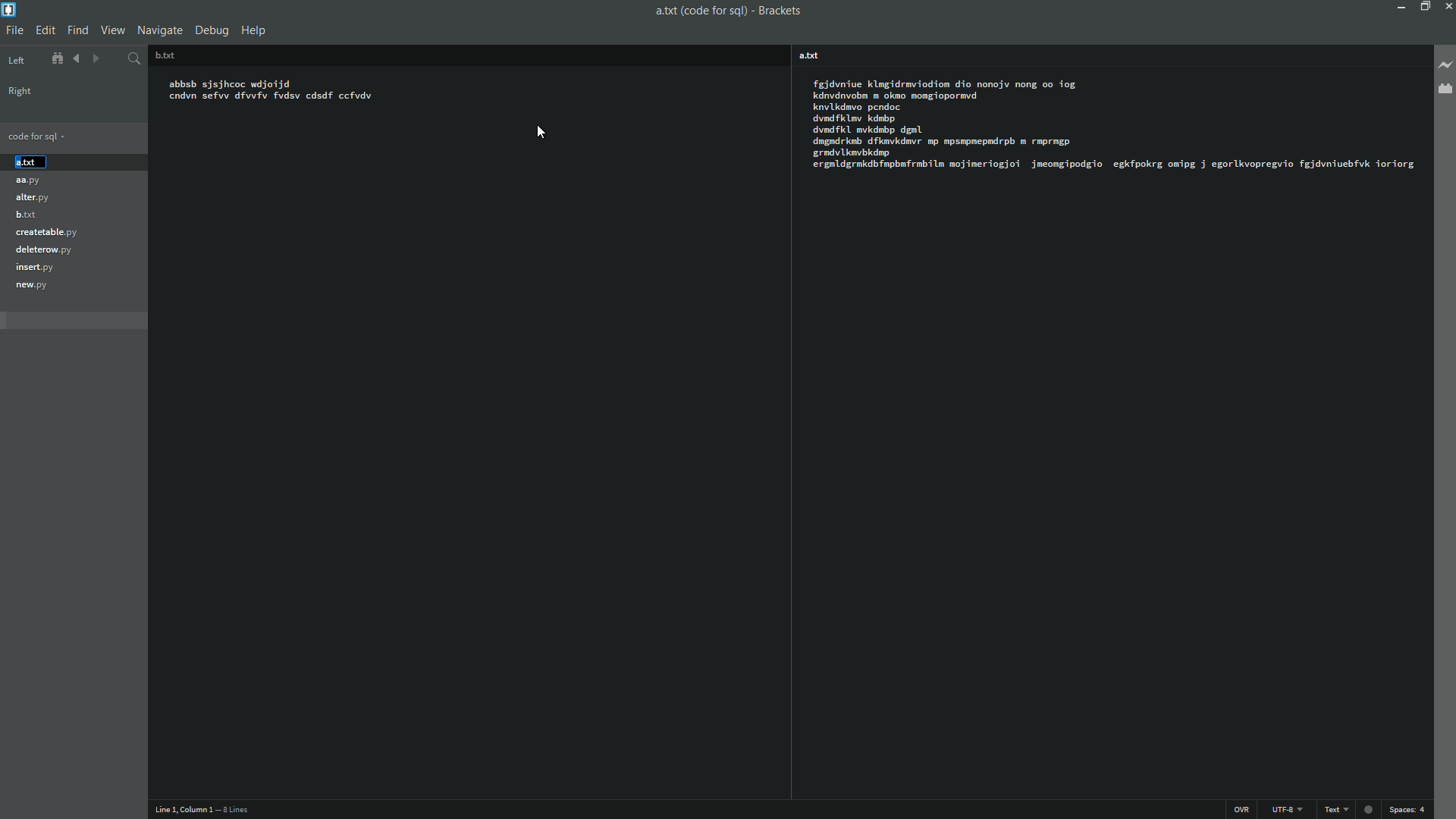 The height and width of the screenshot is (819, 1456). Describe the element at coordinates (44, 250) in the screenshot. I see `deleterow.py` at that location.